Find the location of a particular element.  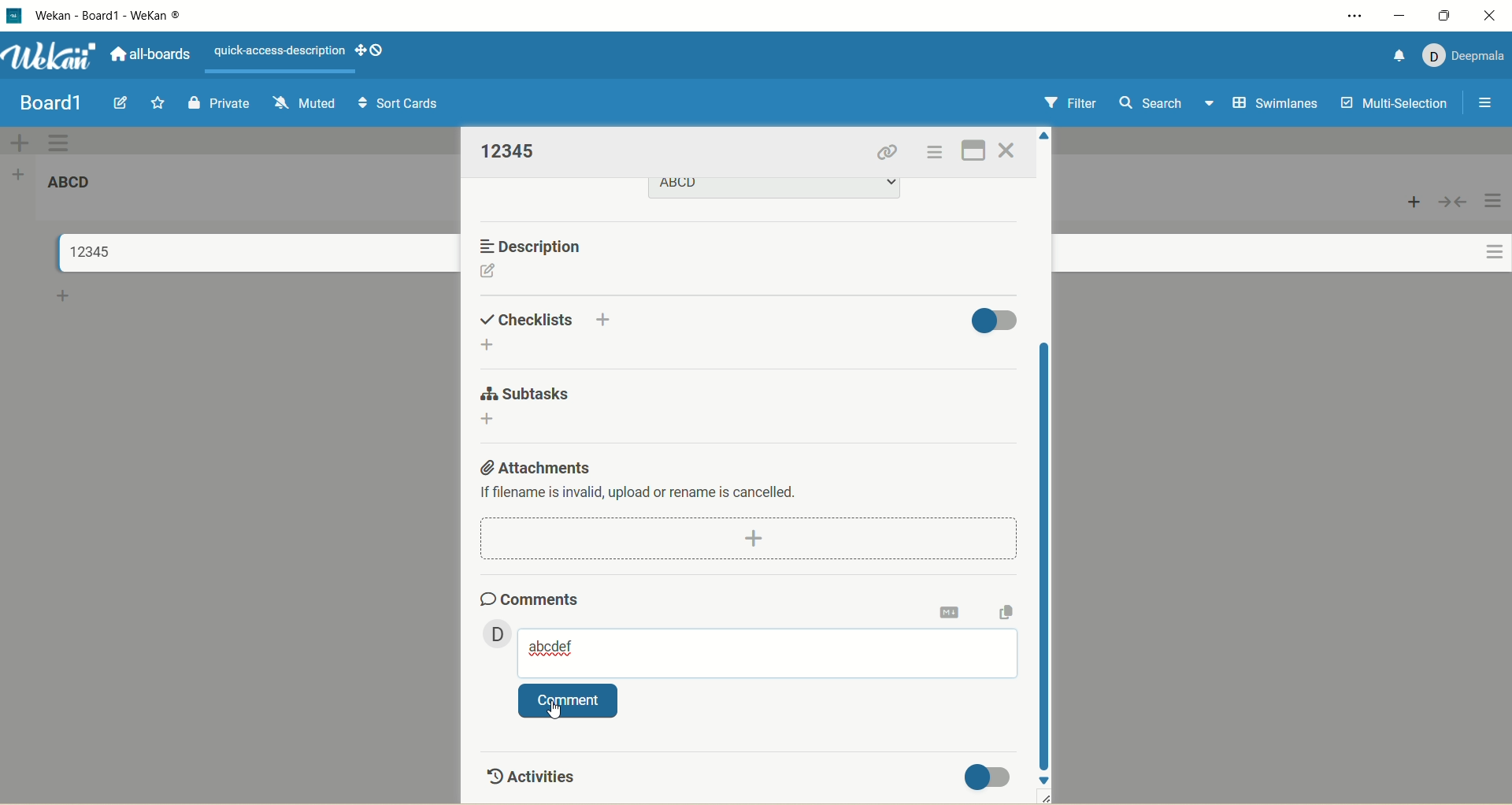

sort cards is located at coordinates (399, 106).